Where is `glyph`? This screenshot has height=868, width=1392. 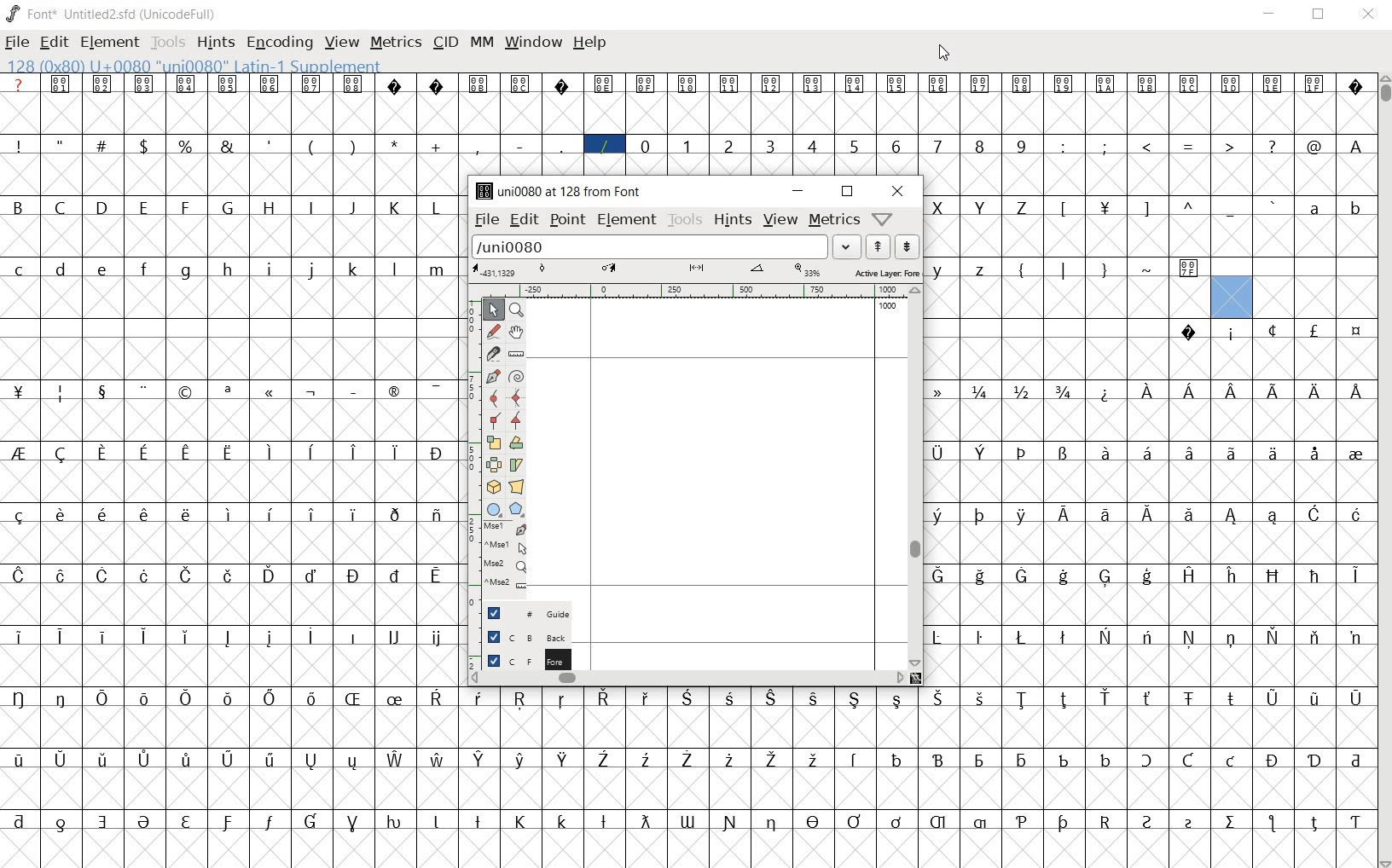 glyph is located at coordinates (1231, 761).